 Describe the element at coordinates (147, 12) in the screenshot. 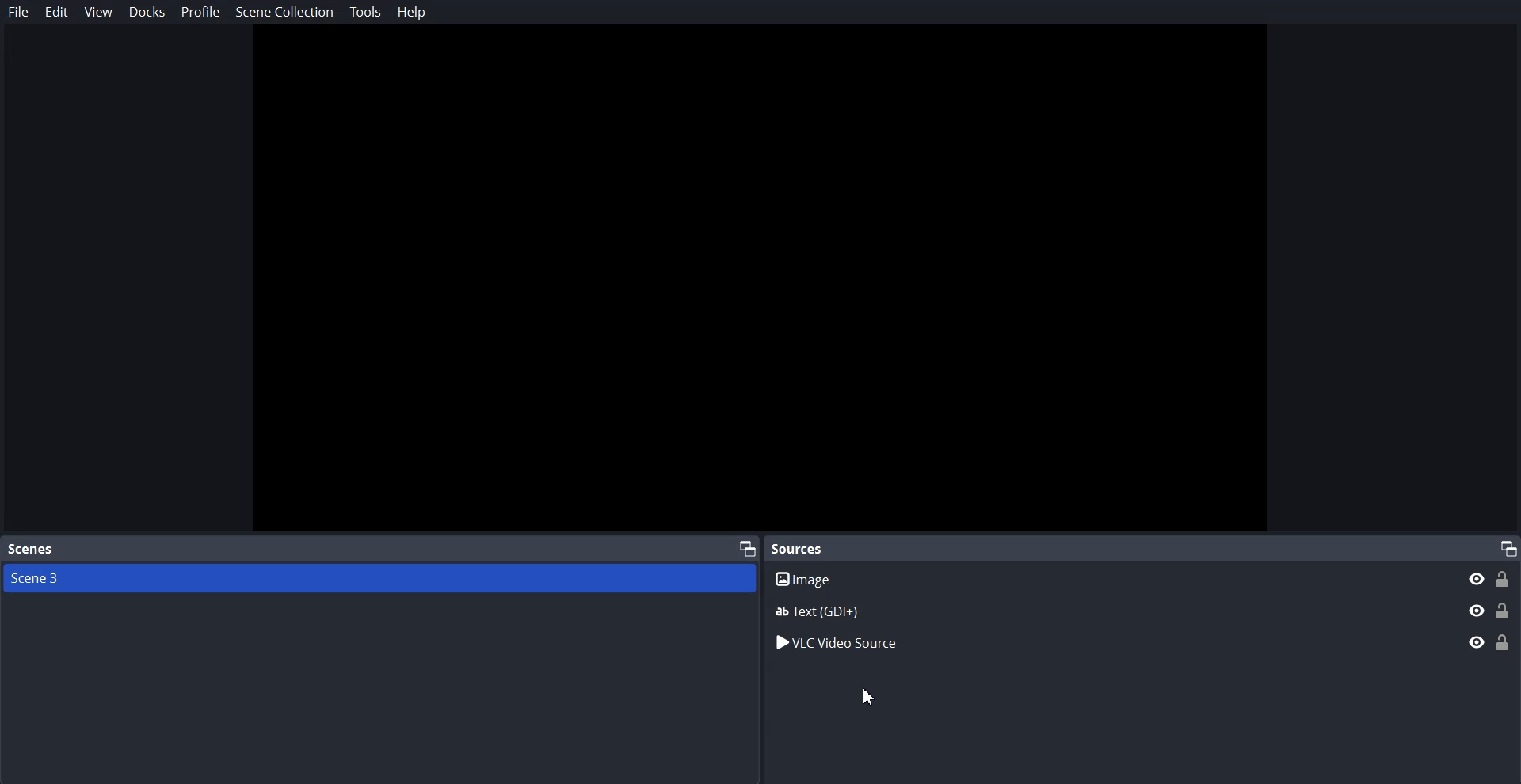

I see `Docks` at that location.